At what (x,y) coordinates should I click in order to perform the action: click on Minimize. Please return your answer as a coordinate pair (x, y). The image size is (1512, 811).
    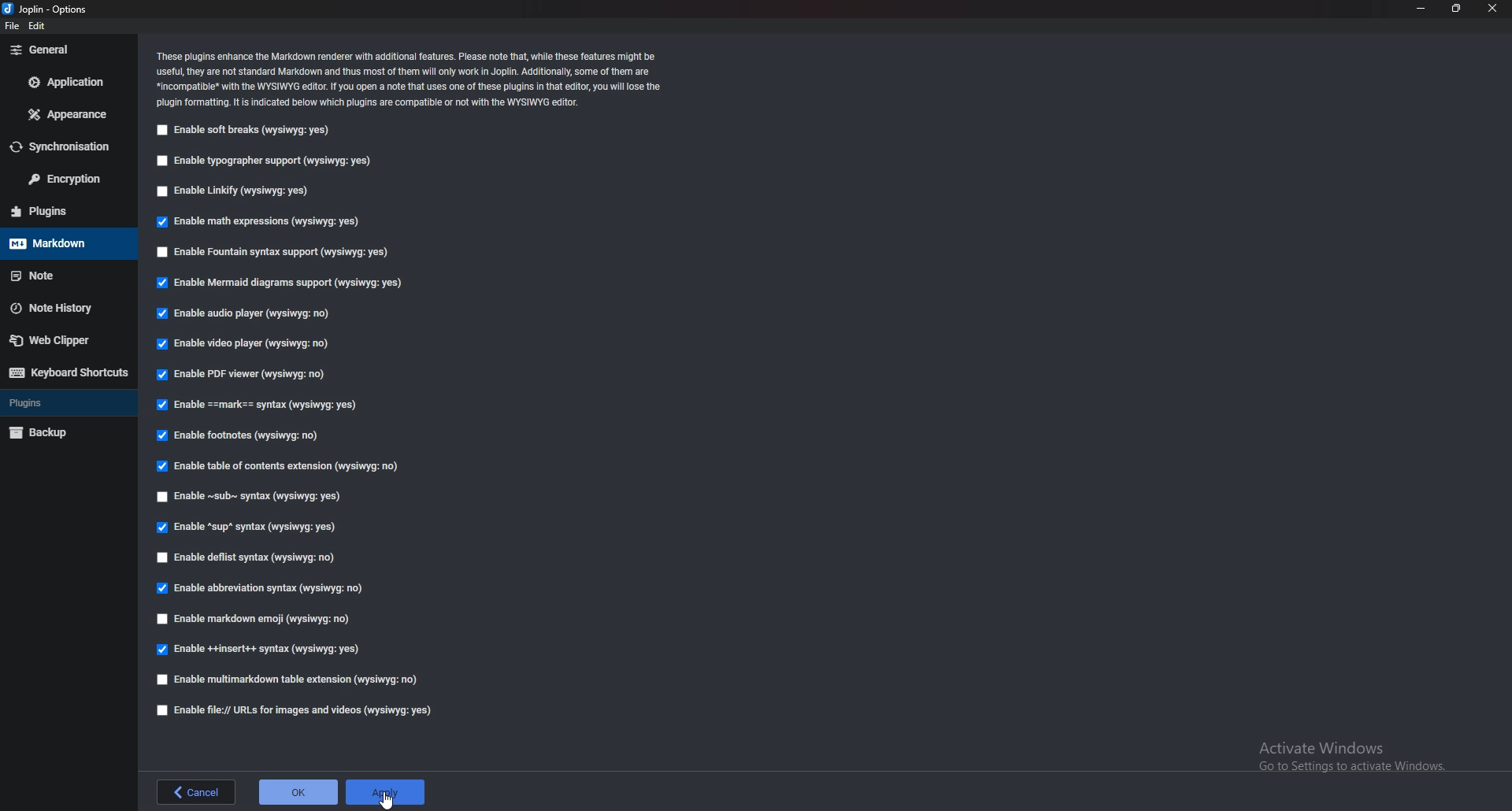
    Looking at the image, I should click on (1421, 7).